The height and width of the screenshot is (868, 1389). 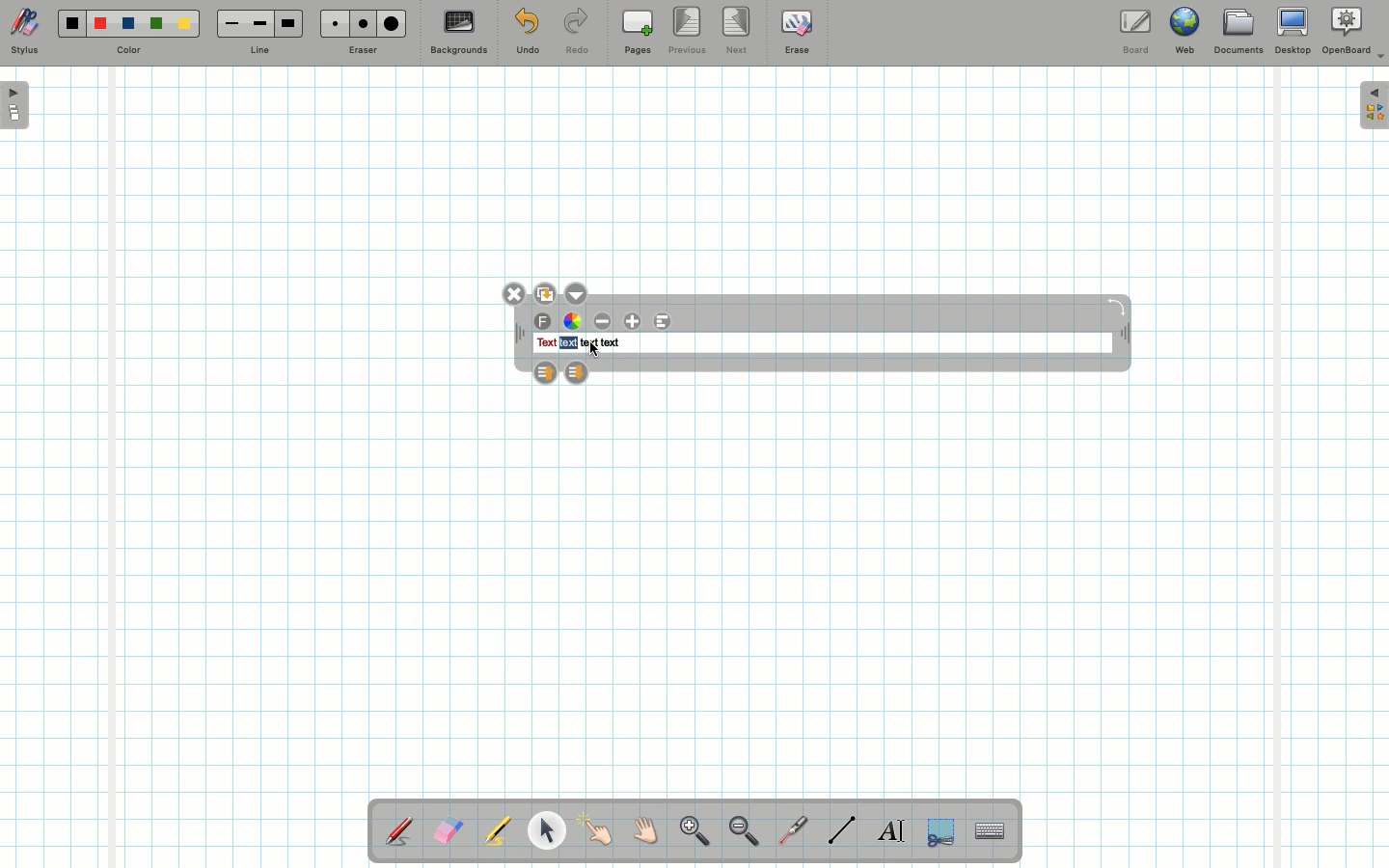 What do you see at coordinates (156, 25) in the screenshot?
I see `Green` at bounding box center [156, 25].